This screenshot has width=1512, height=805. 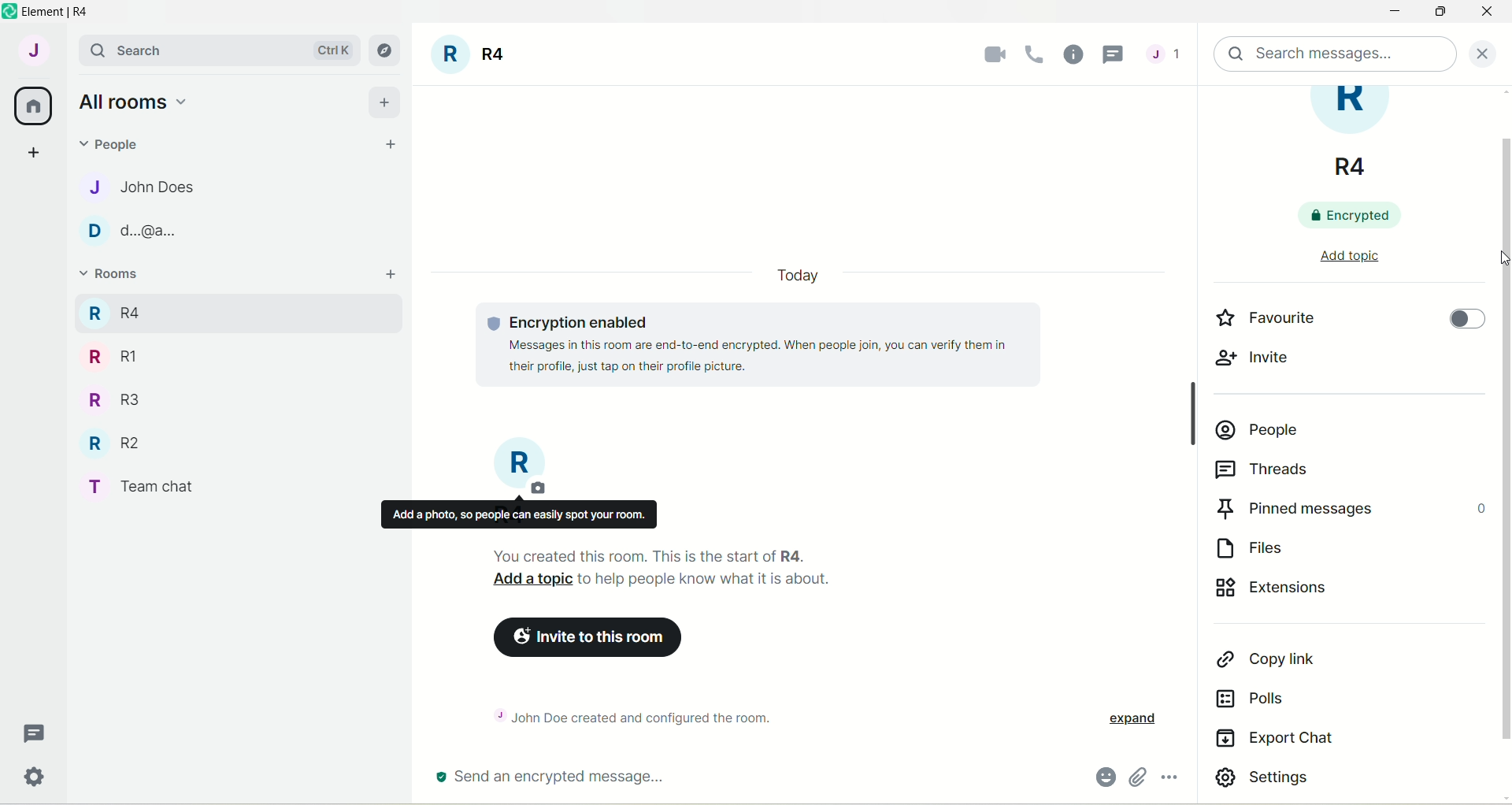 What do you see at coordinates (393, 275) in the screenshot?
I see `add` at bounding box center [393, 275].